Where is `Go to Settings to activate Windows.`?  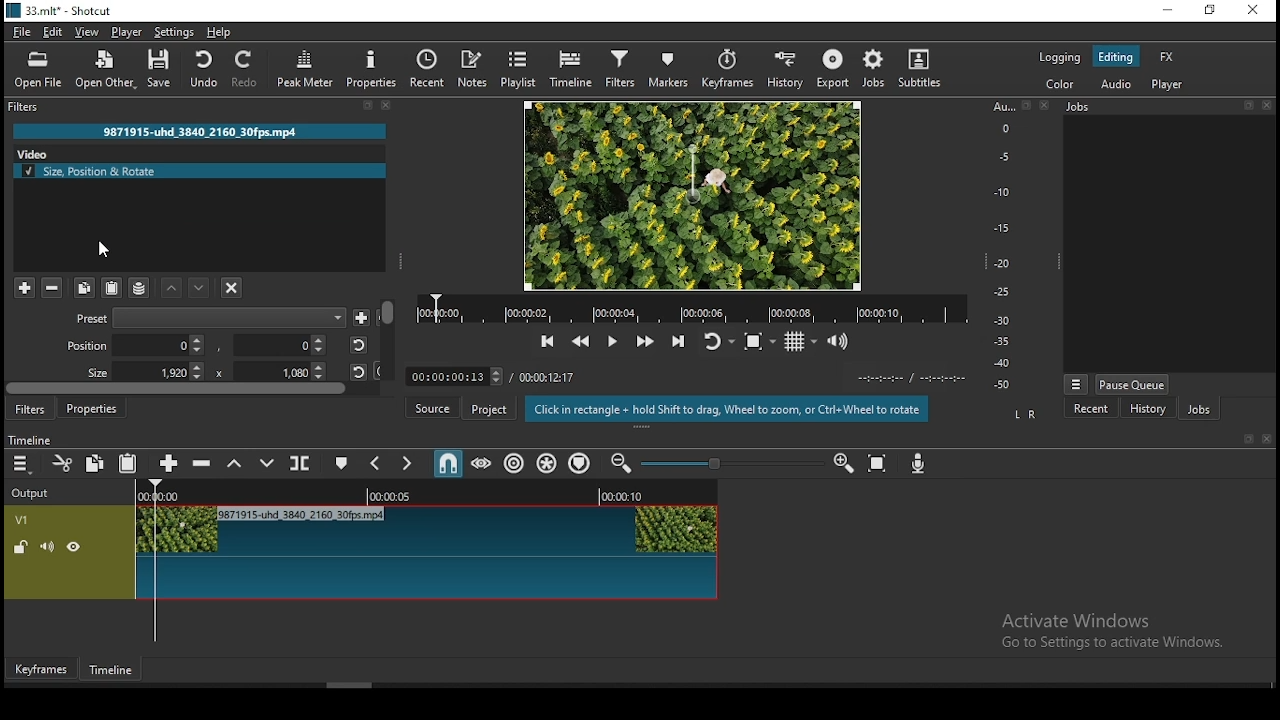 Go to Settings to activate Windows. is located at coordinates (1112, 641).